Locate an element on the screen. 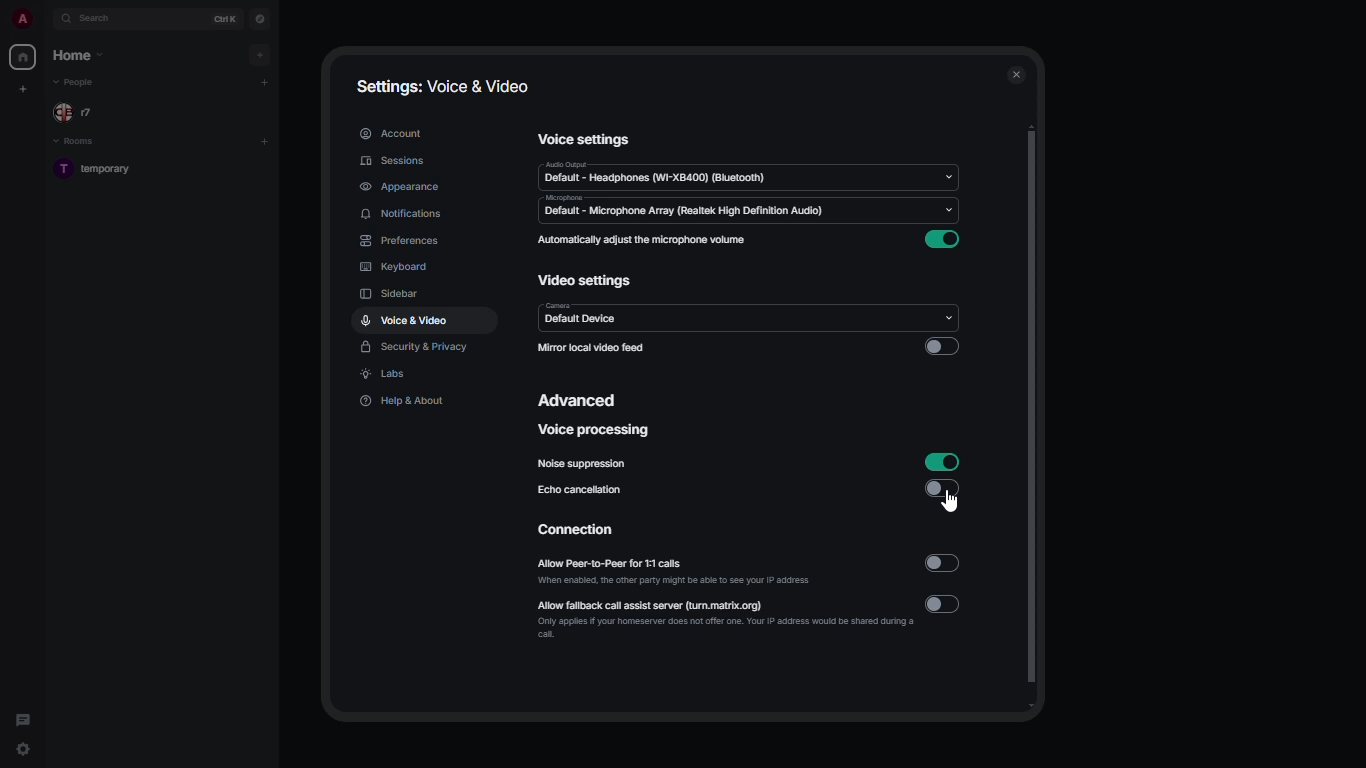  keyboard is located at coordinates (396, 268).